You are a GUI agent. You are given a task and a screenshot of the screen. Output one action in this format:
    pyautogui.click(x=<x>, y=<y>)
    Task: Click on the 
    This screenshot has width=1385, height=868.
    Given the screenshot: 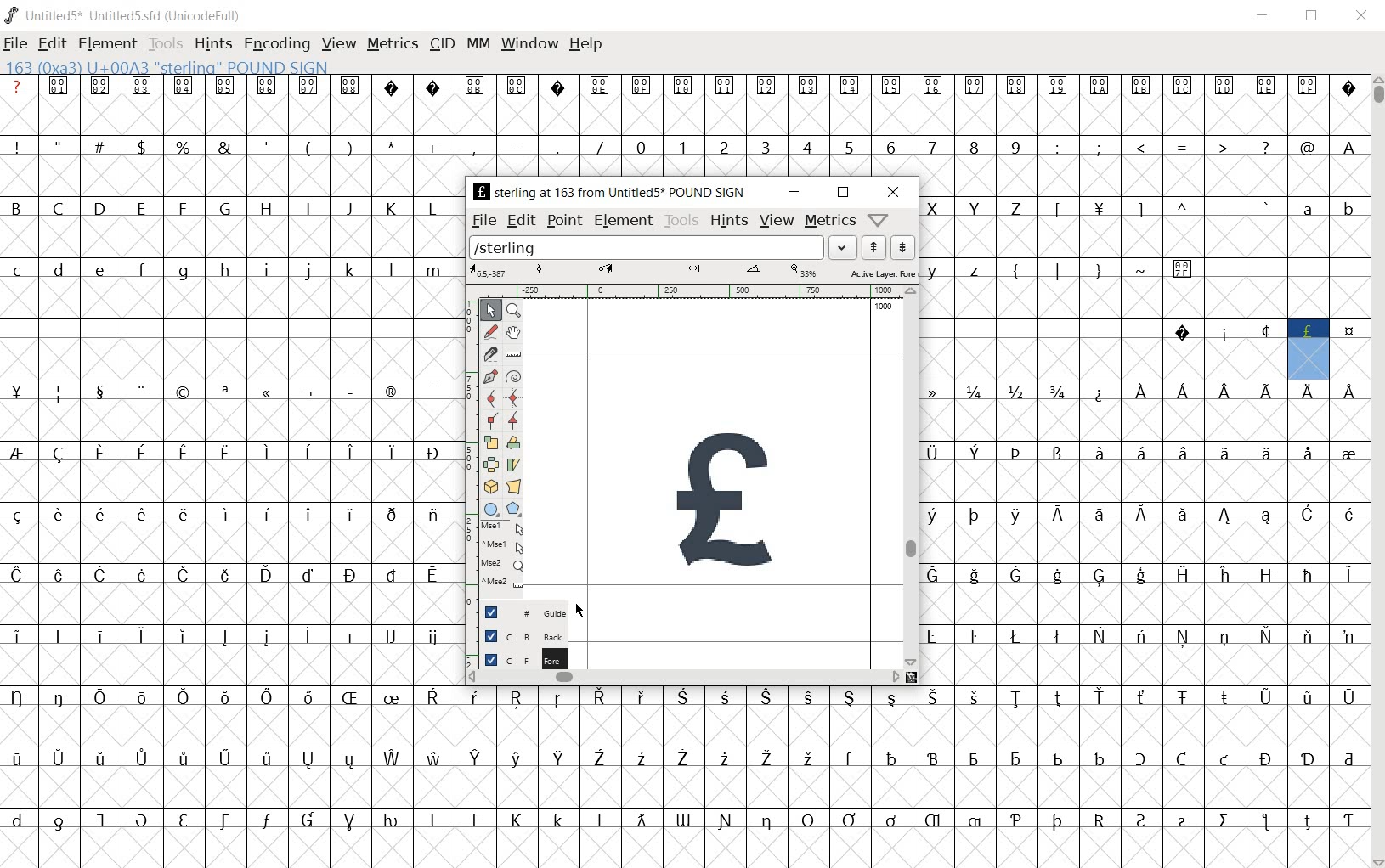 What is the action you would take?
    pyautogui.click(x=558, y=819)
    